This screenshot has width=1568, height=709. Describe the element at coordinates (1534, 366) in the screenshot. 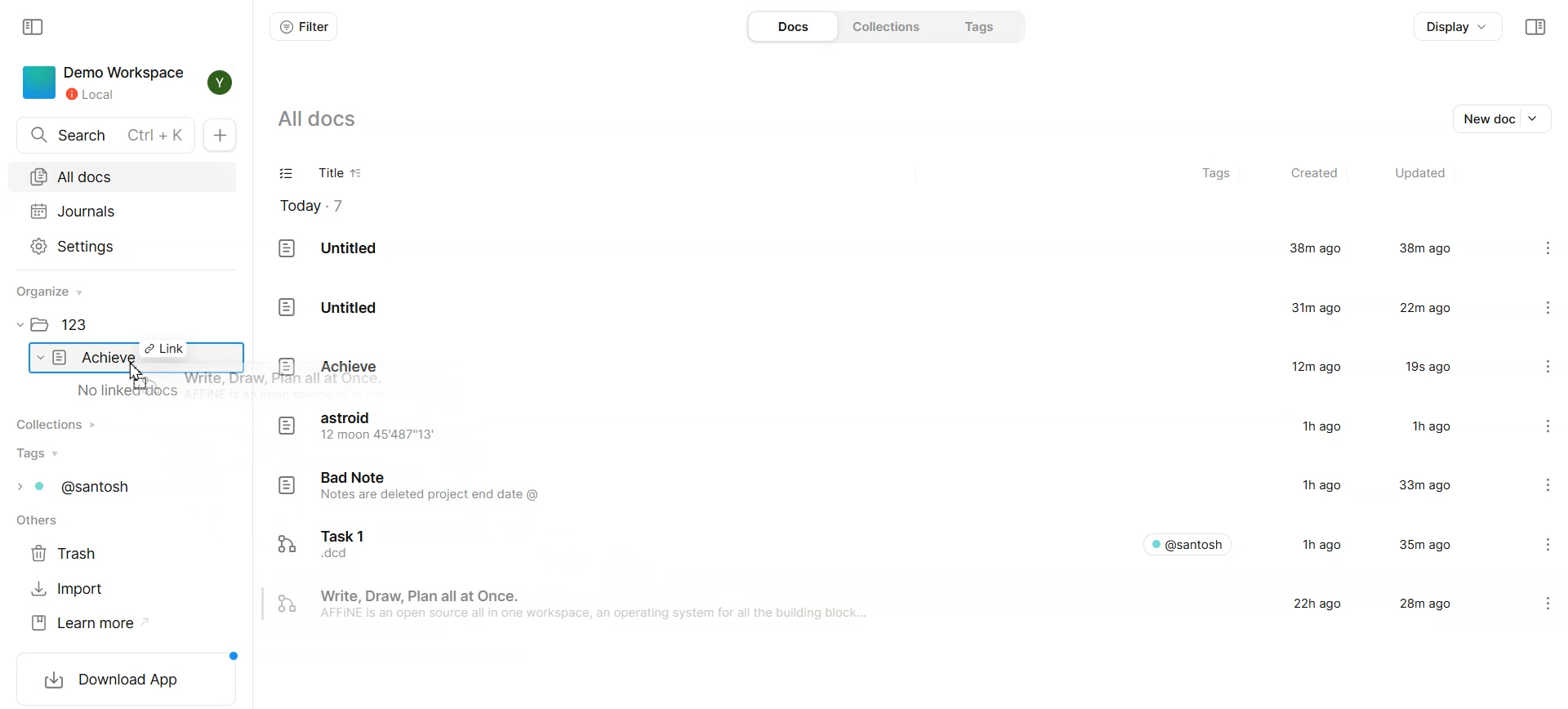

I see `Settings` at that location.